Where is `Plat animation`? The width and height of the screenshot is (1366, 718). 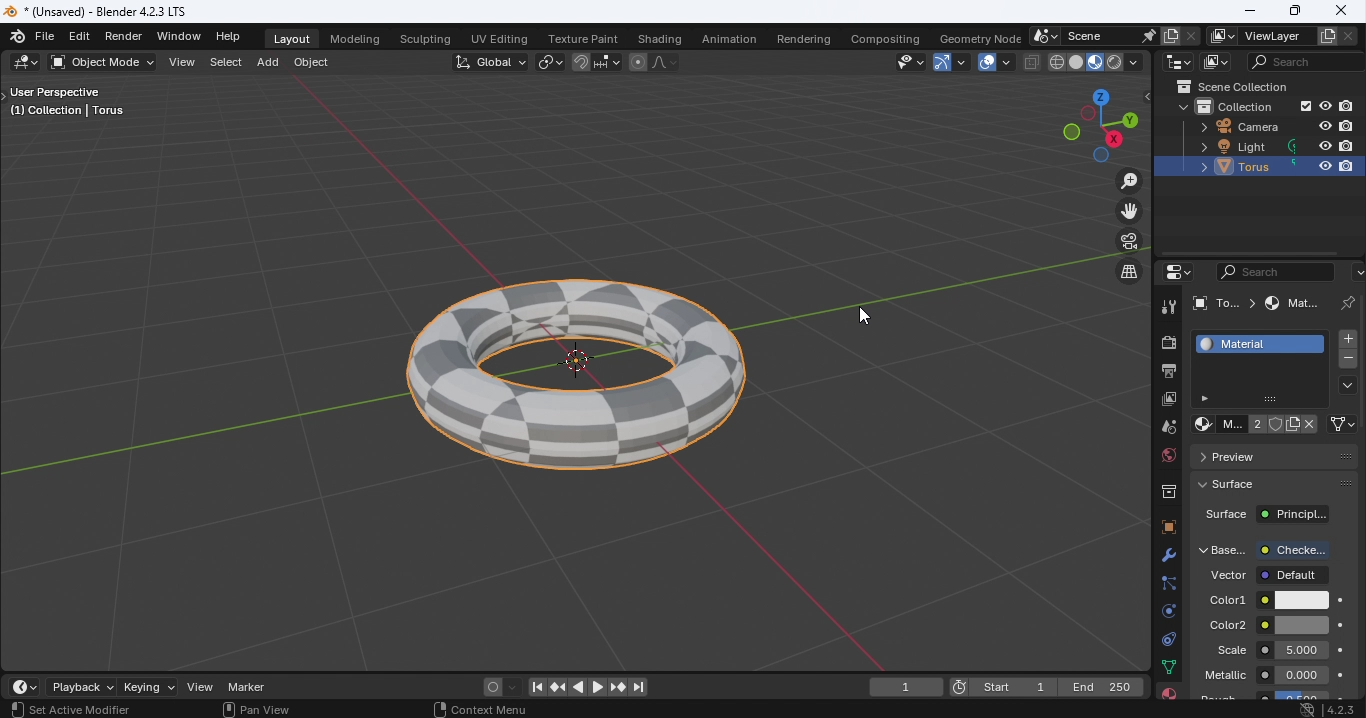
Plat animation is located at coordinates (598, 689).